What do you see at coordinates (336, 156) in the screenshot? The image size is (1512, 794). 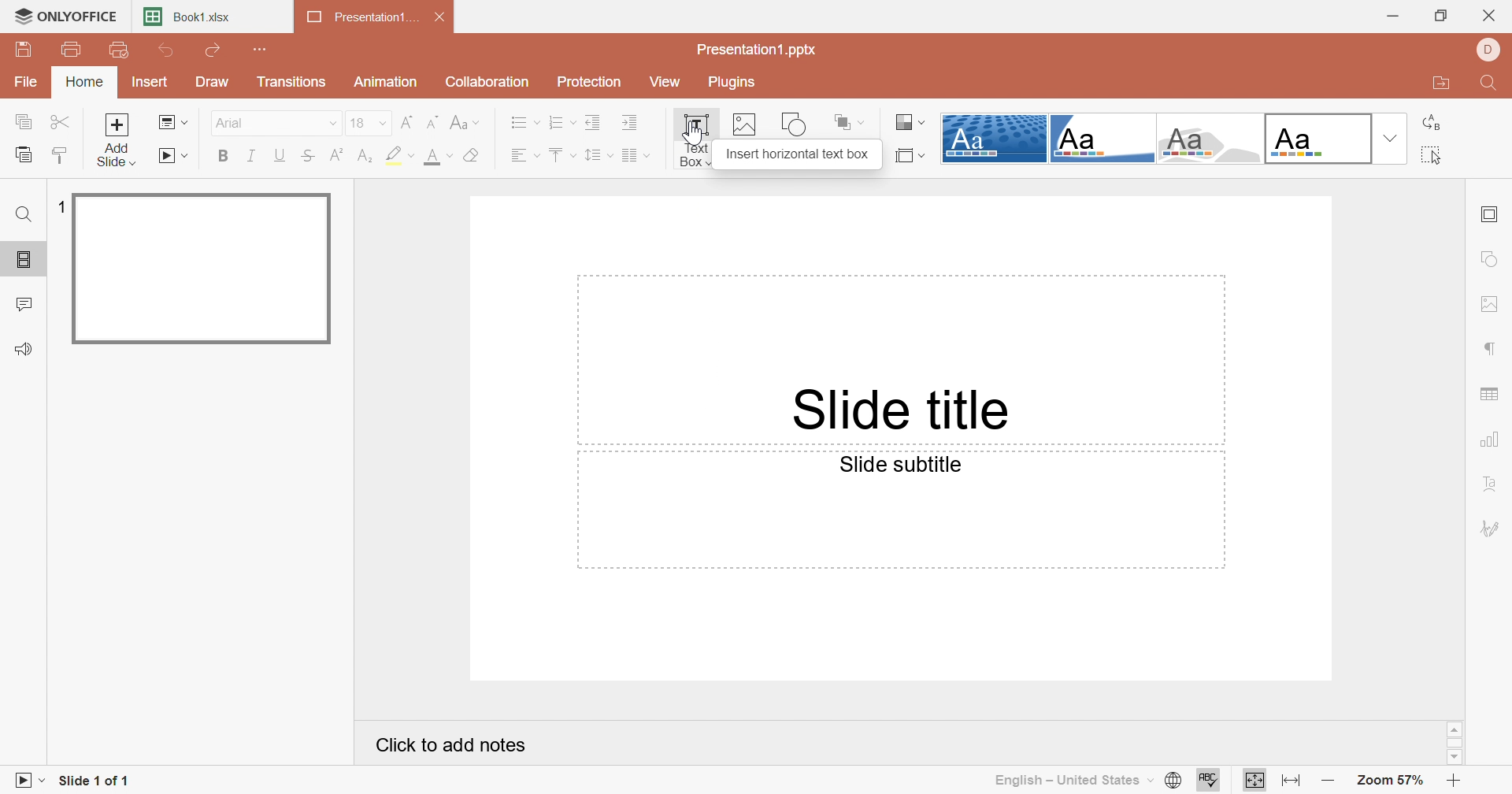 I see `Superscript` at bounding box center [336, 156].